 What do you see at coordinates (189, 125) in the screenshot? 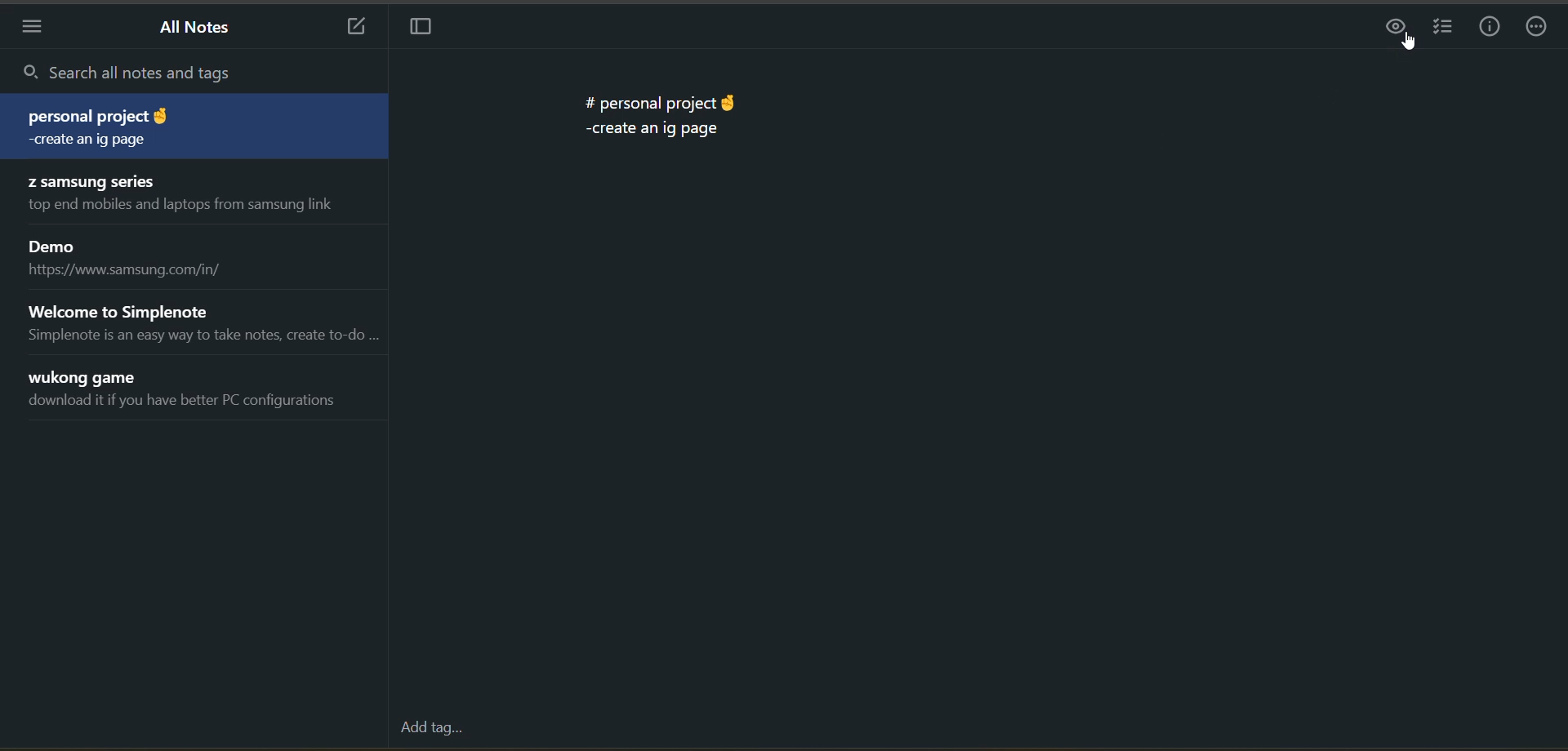
I see `note title and preview` at bounding box center [189, 125].